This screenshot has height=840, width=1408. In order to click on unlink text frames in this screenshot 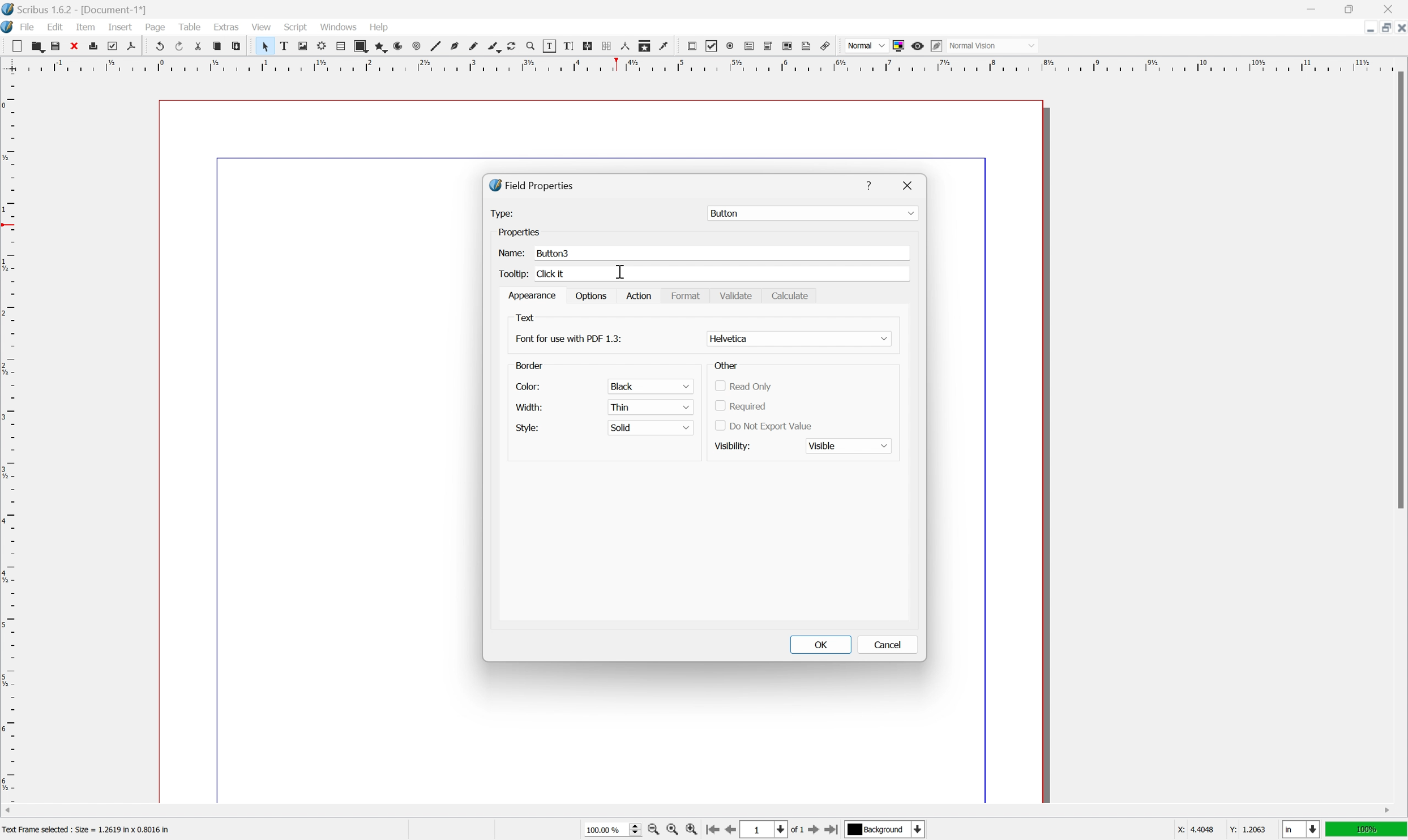, I will do `click(606, 46)`.